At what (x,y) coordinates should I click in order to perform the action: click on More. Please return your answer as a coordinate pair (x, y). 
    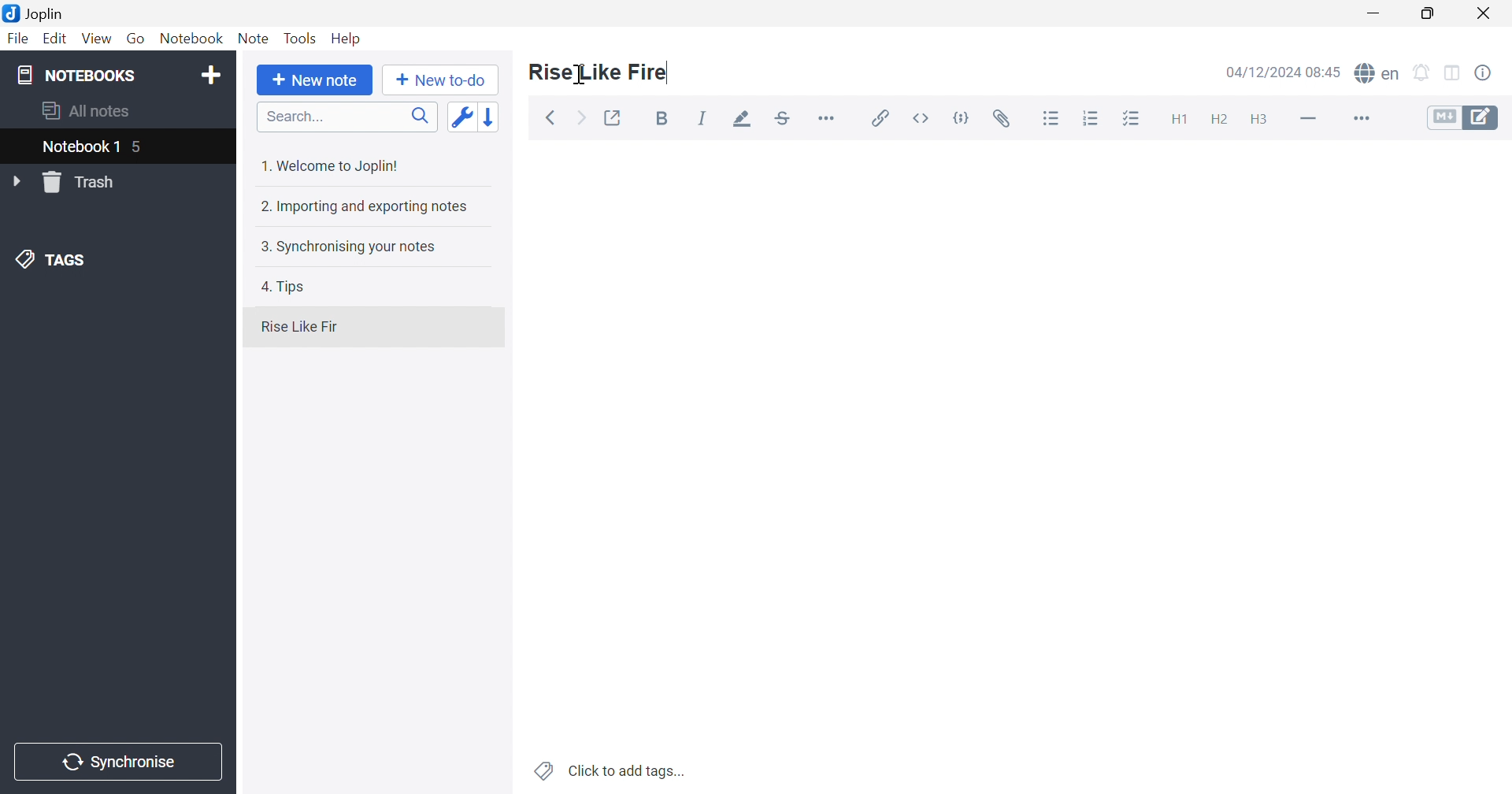
    Looking at the image, I should click on (1360, 120).